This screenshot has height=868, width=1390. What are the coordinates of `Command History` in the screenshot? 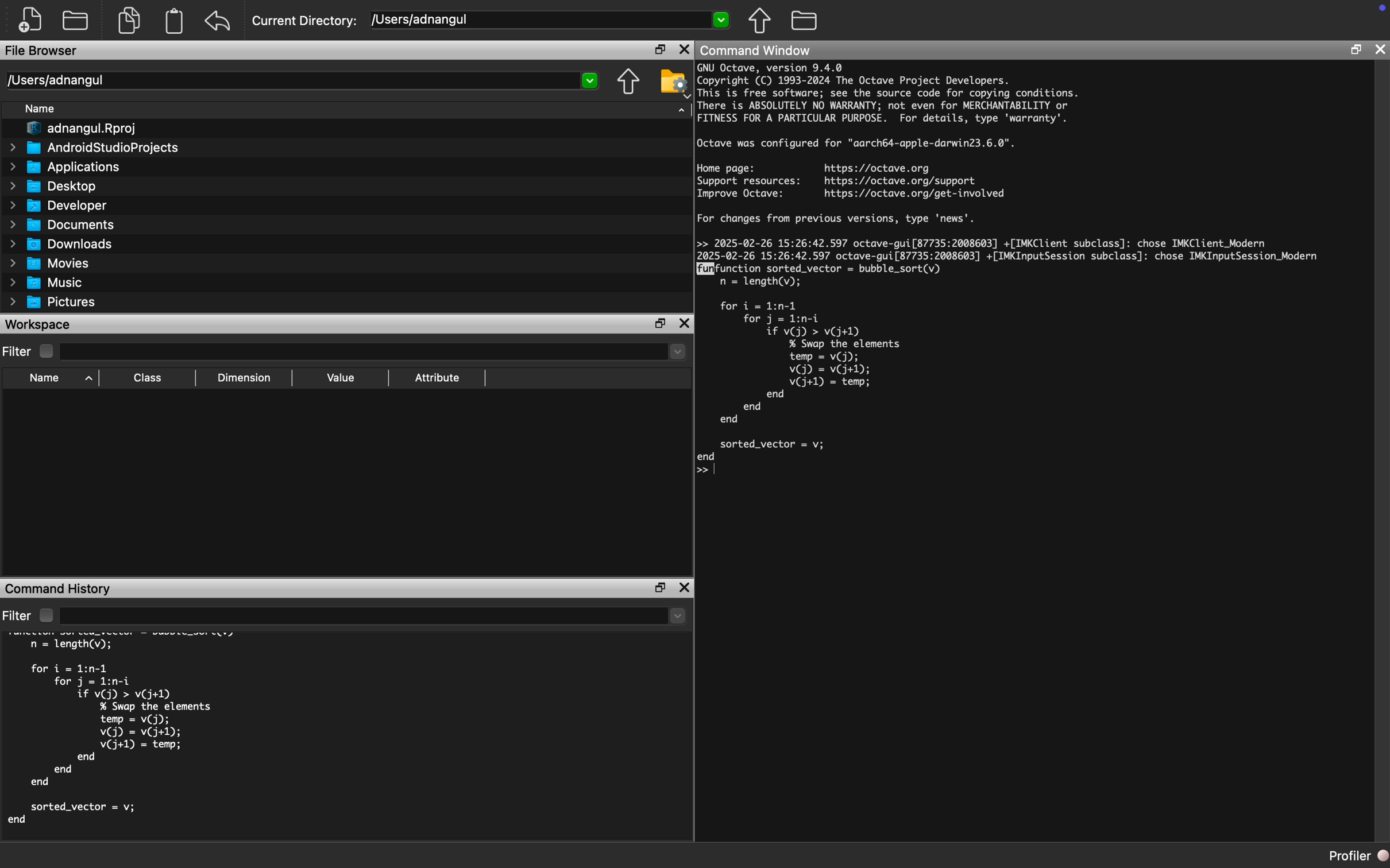 It's located at (59, 588).